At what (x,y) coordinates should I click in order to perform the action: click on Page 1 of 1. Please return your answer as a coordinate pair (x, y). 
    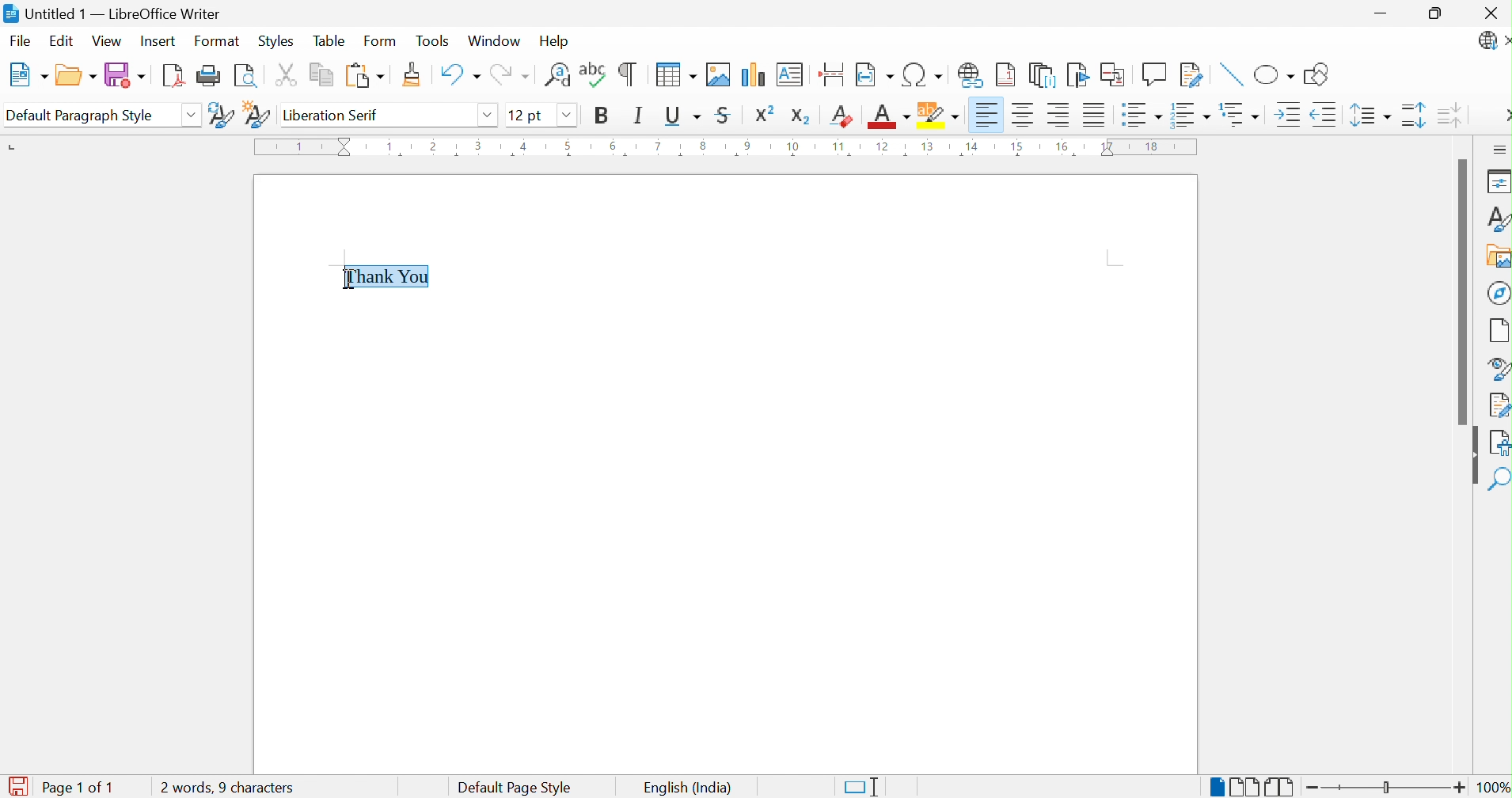
    Looking at the image, I should click on (82, 788).